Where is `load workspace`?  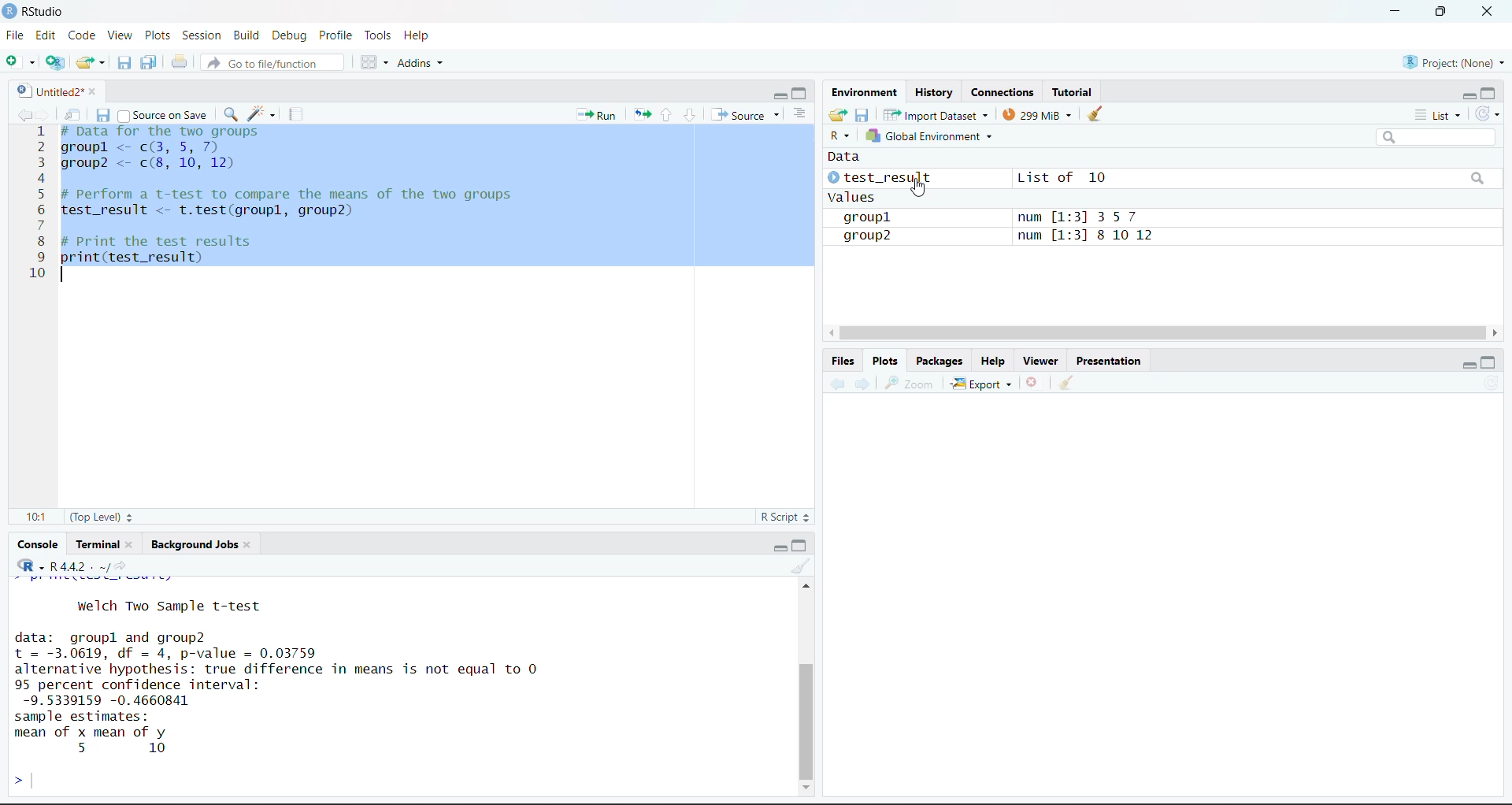
load workspace is located at coordinates (839, 115).